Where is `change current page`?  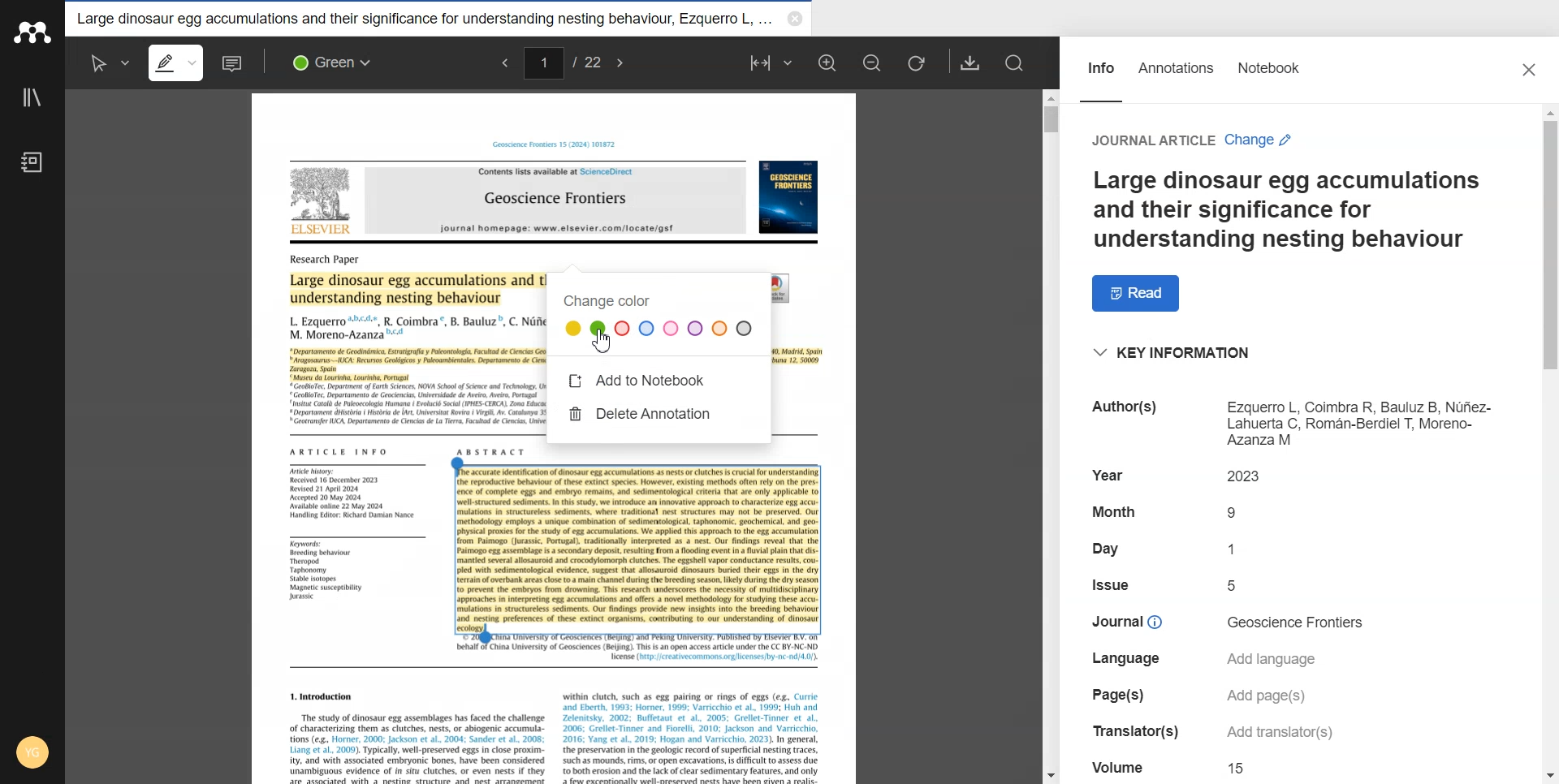 change current page is located at coordinates (543, 62).